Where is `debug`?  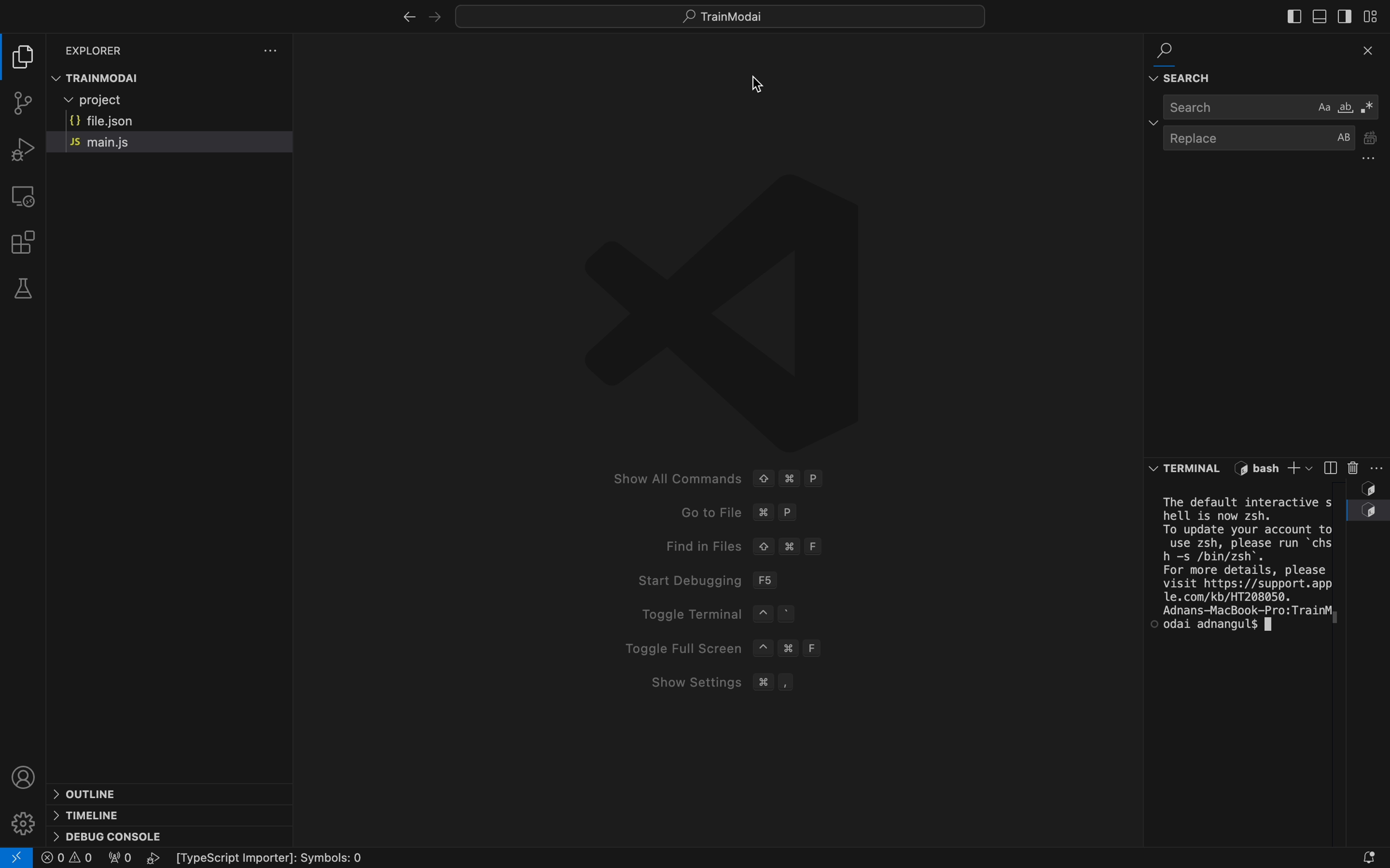
debug is located at coordinates (109, 835).